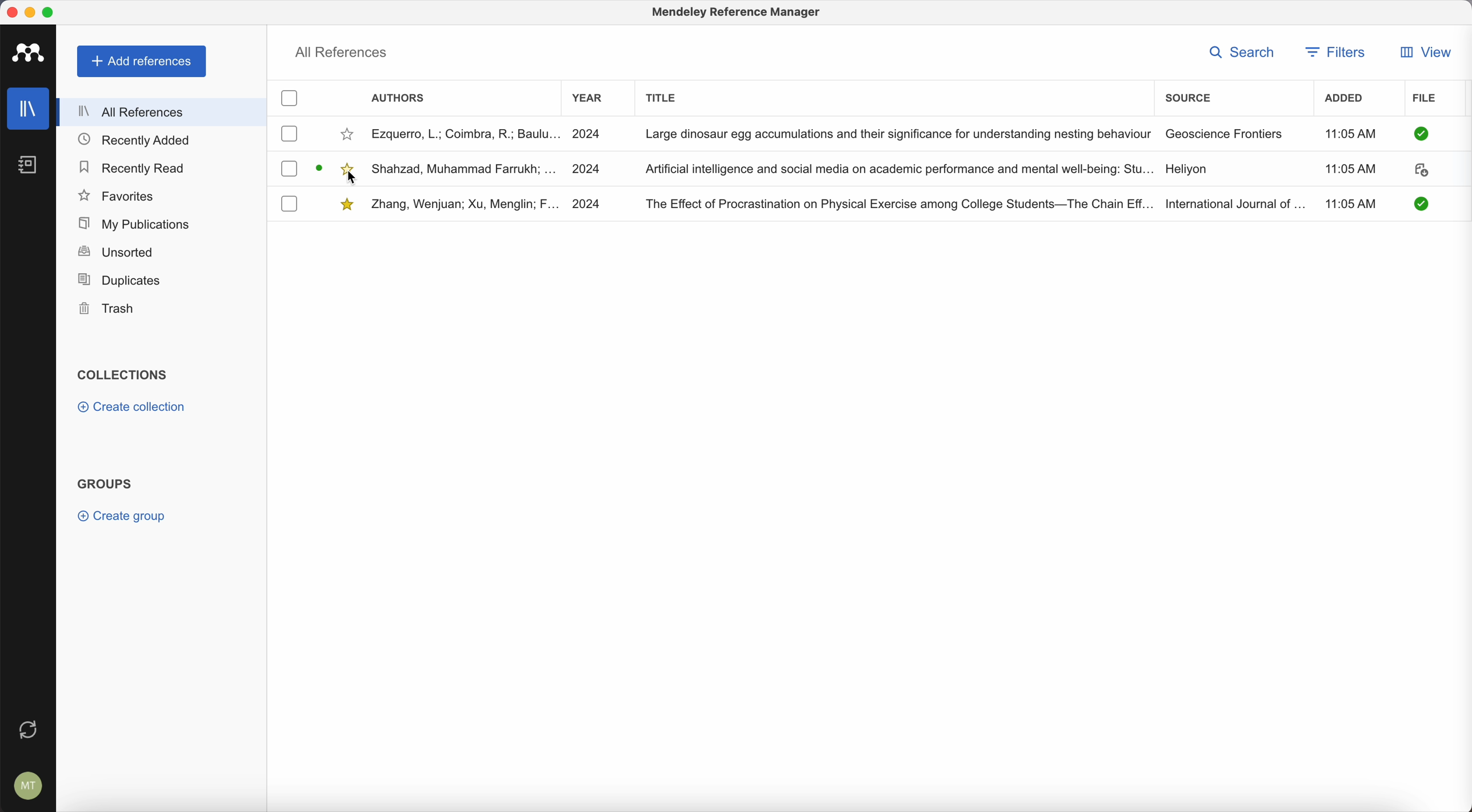 Image resolution: width=1472 pixels, height=812 pixels. What do you see at coordinates (139, 141) in the screenshot?
I see `recently added` at bounding box center [139, 141].